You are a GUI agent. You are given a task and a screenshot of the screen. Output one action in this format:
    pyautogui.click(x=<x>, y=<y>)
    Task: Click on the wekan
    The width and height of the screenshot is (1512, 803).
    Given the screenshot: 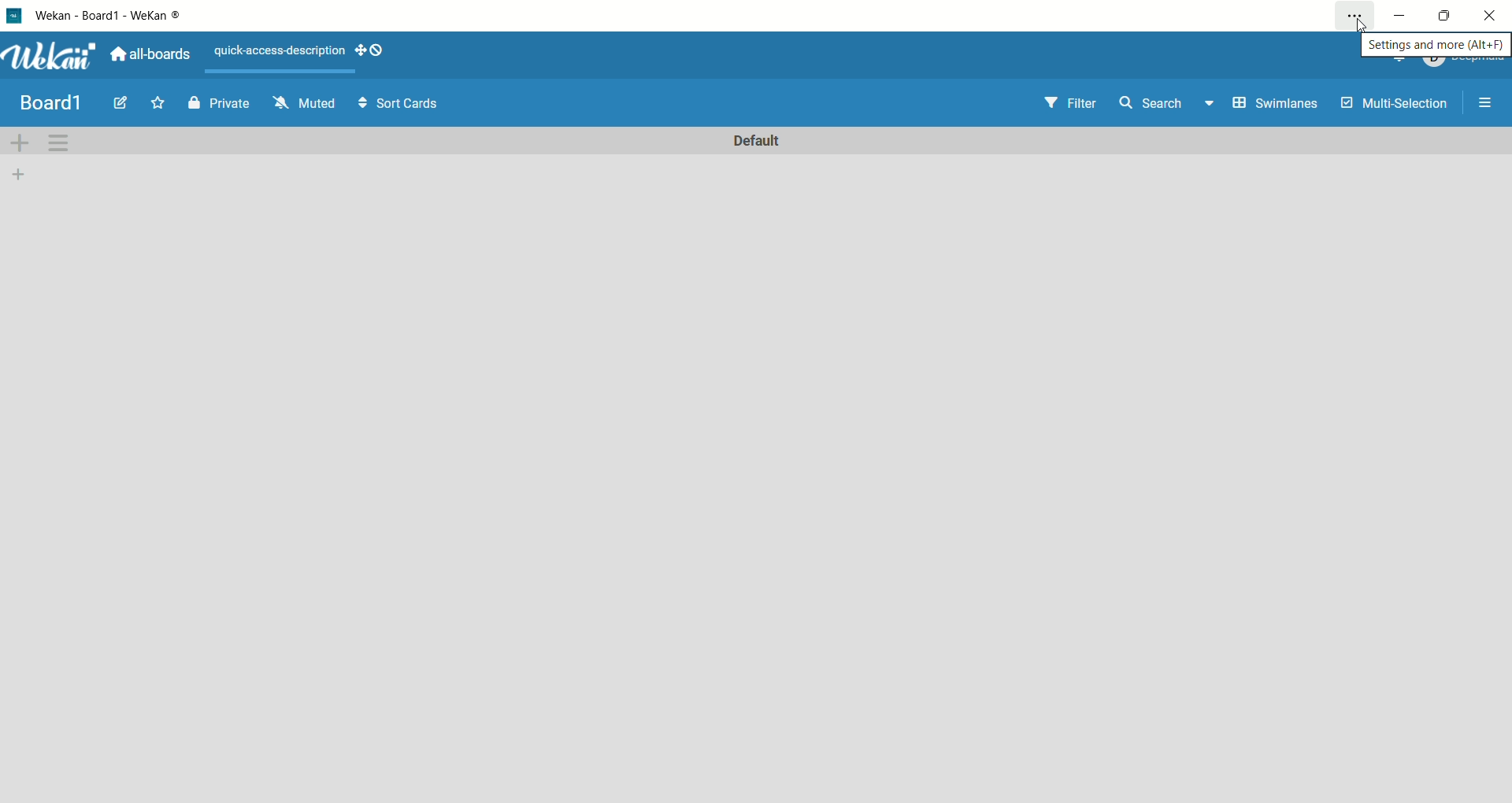 What is the action you would take?
    pyautogui.click(x=50, y=57)
    